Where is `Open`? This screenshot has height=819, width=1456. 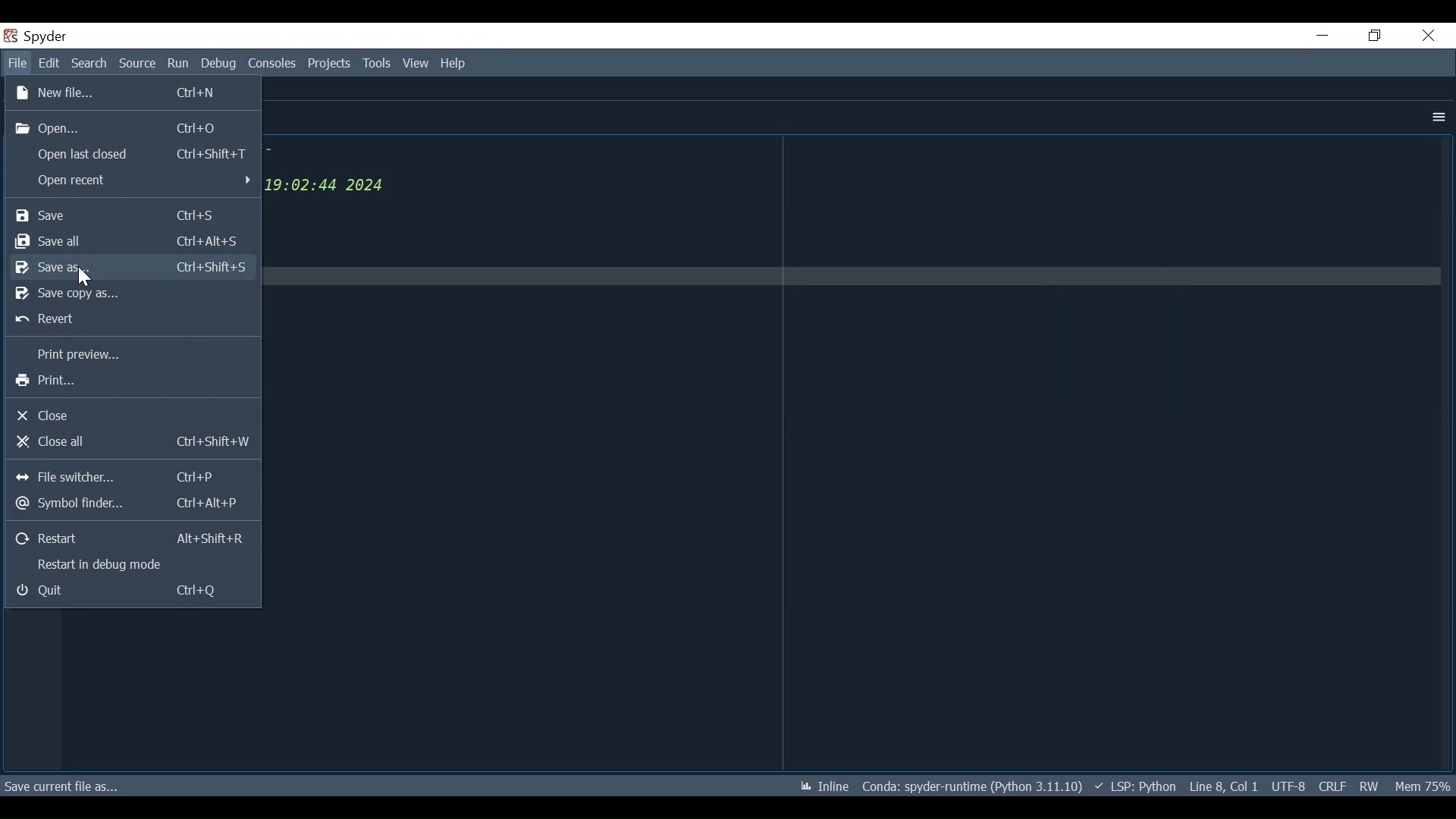
Open is located at coordinates (131, 128).